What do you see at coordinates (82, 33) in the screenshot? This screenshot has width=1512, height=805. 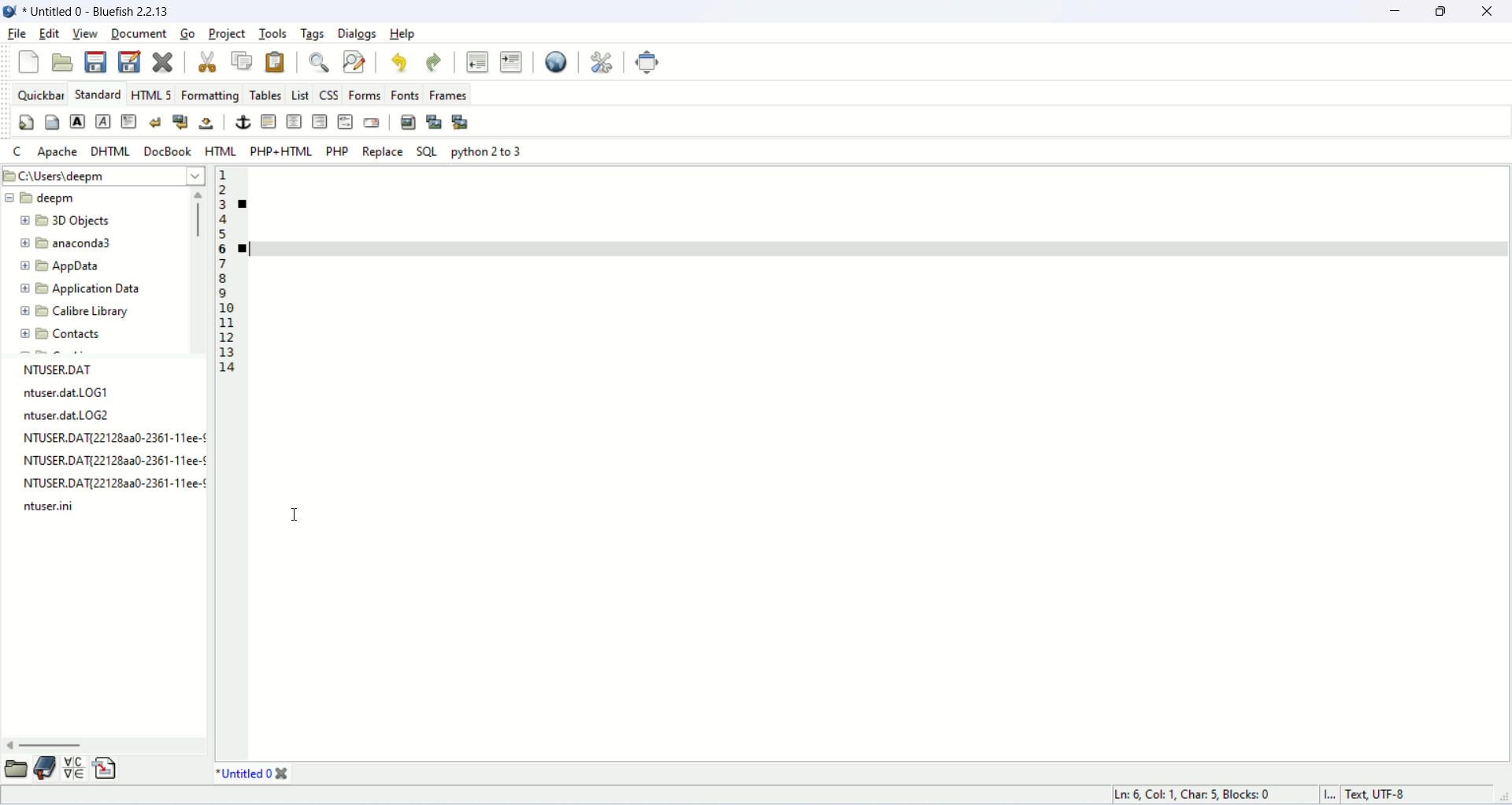 I see `view` at bounding box center [82, 33].